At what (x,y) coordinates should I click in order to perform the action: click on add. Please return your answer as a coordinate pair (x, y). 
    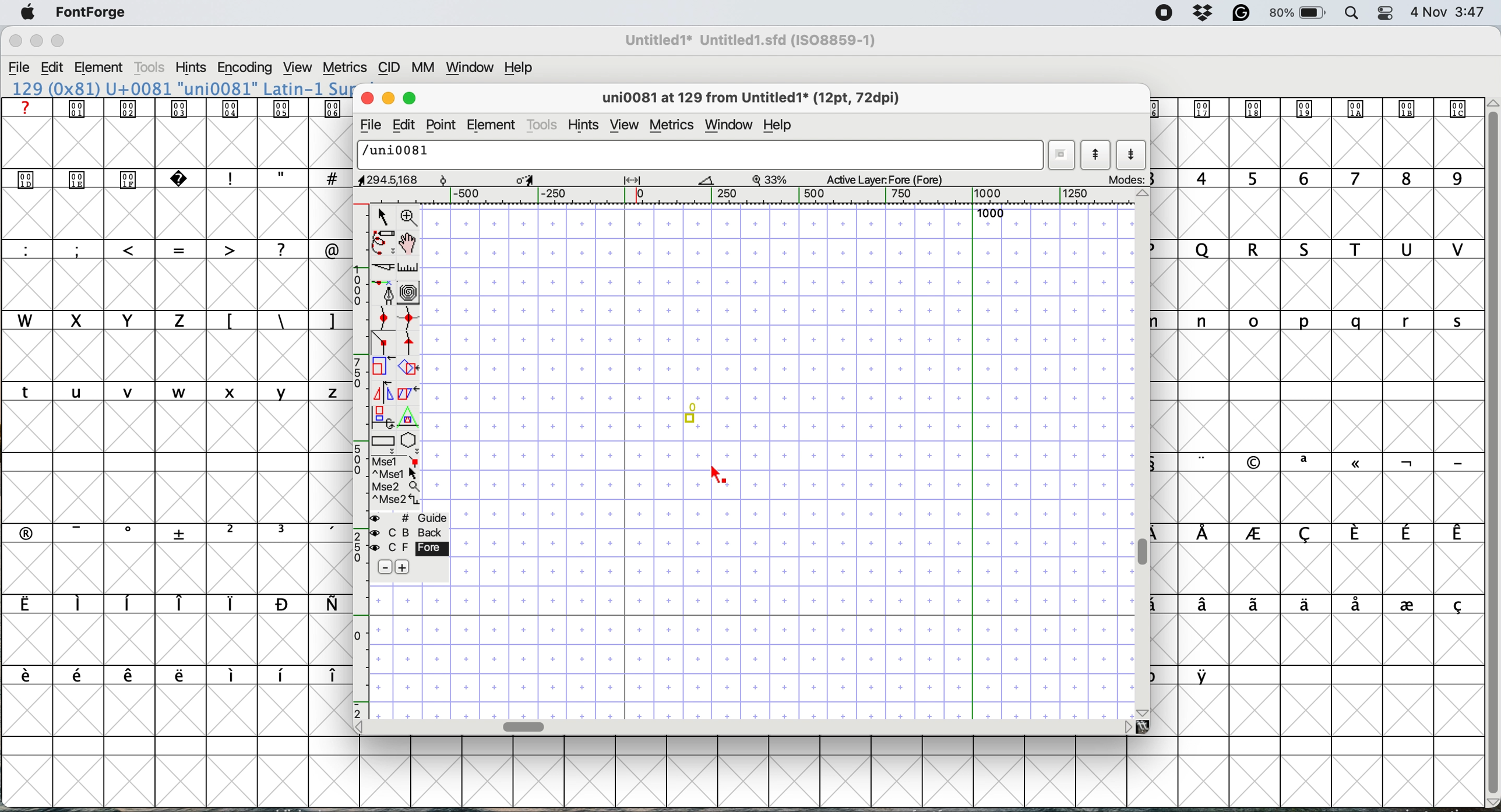
    Looking at the image, I should click on (407, 567).